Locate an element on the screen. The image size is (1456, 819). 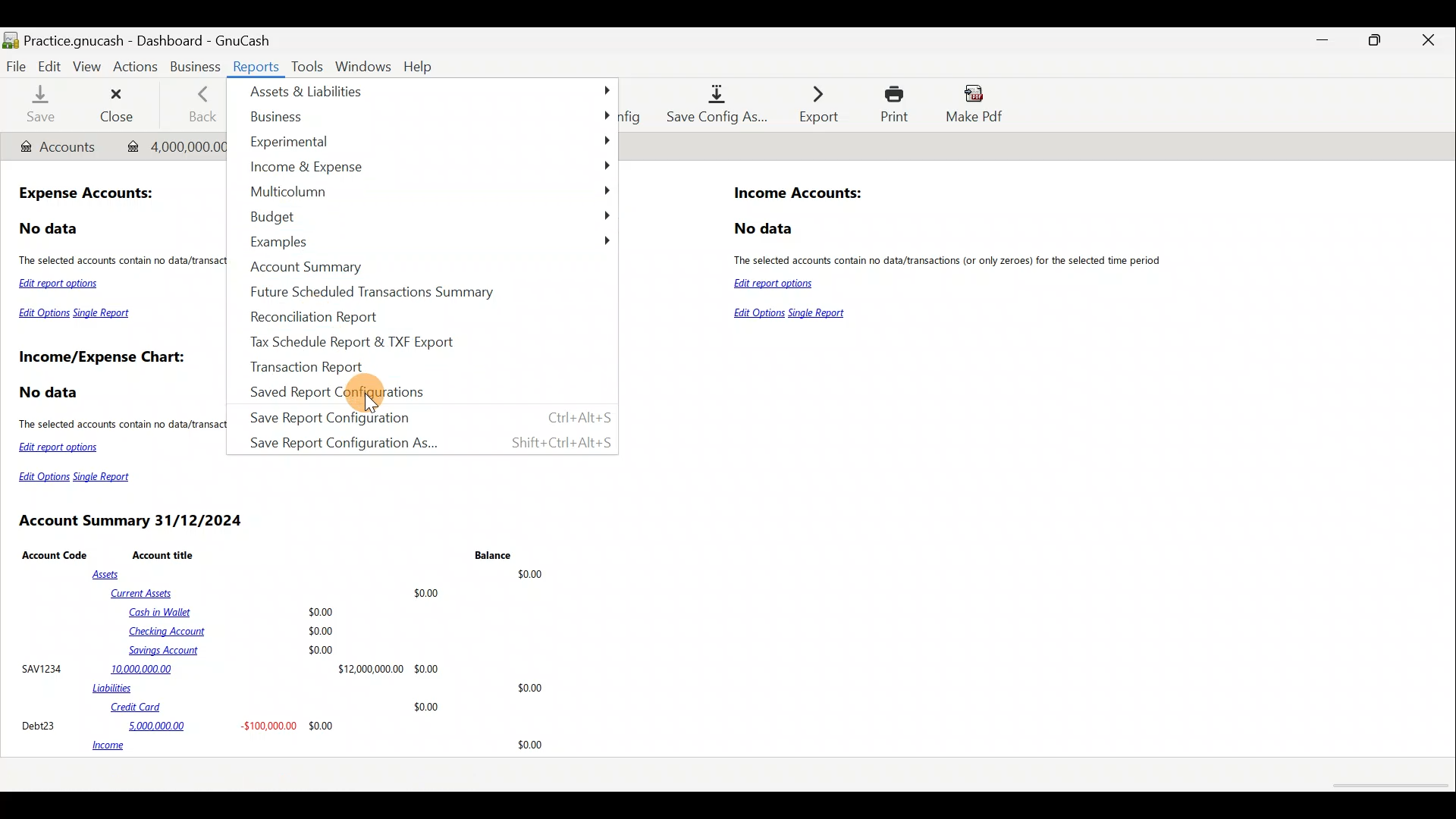
Account Code Account title Balance is located at coordinates (266, 554).